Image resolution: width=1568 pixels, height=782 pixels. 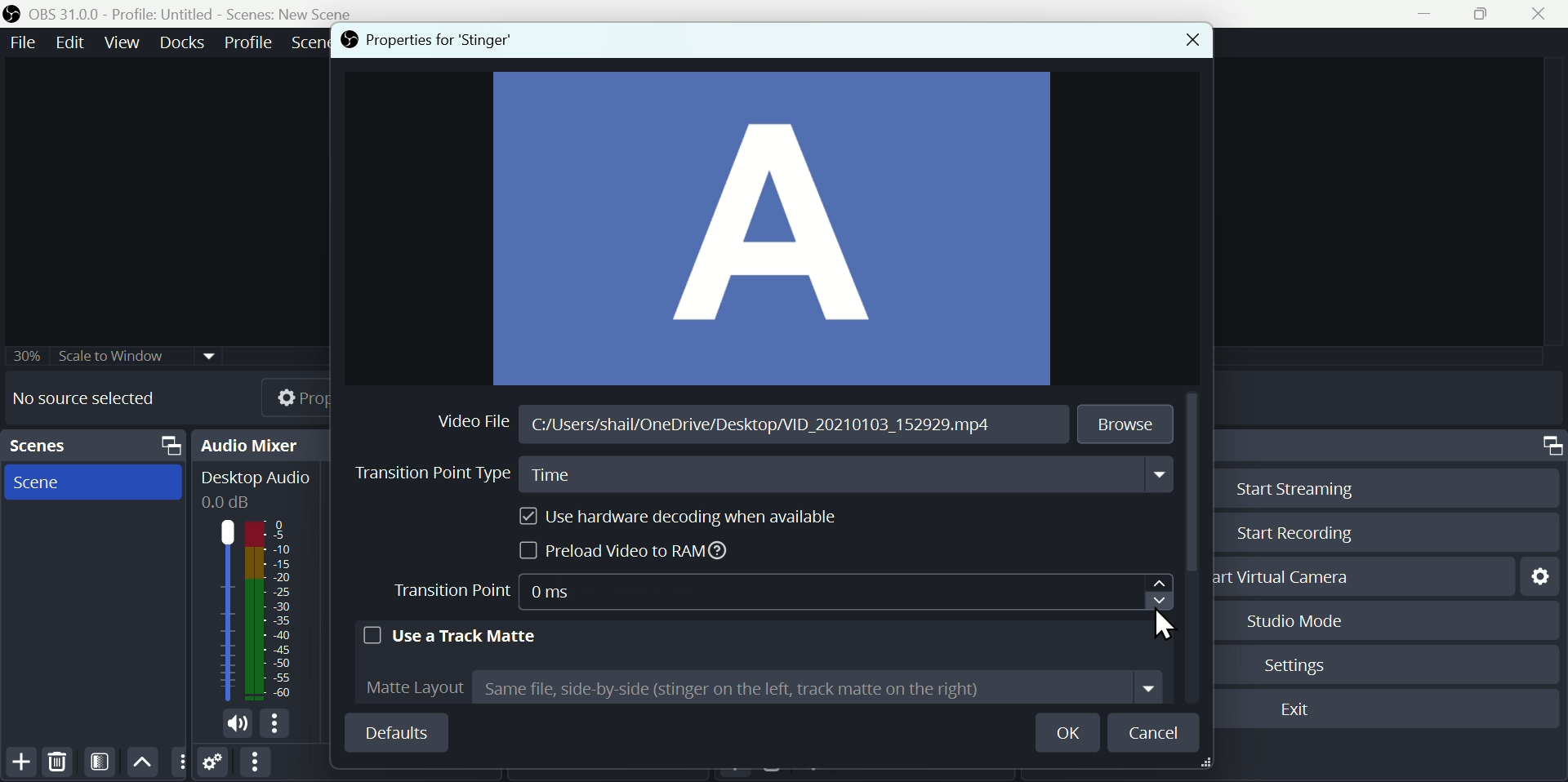 What do you see at coordinates (407, 686) in the screenshot?
I see `Matte layout` at bounding box center [407, 686].